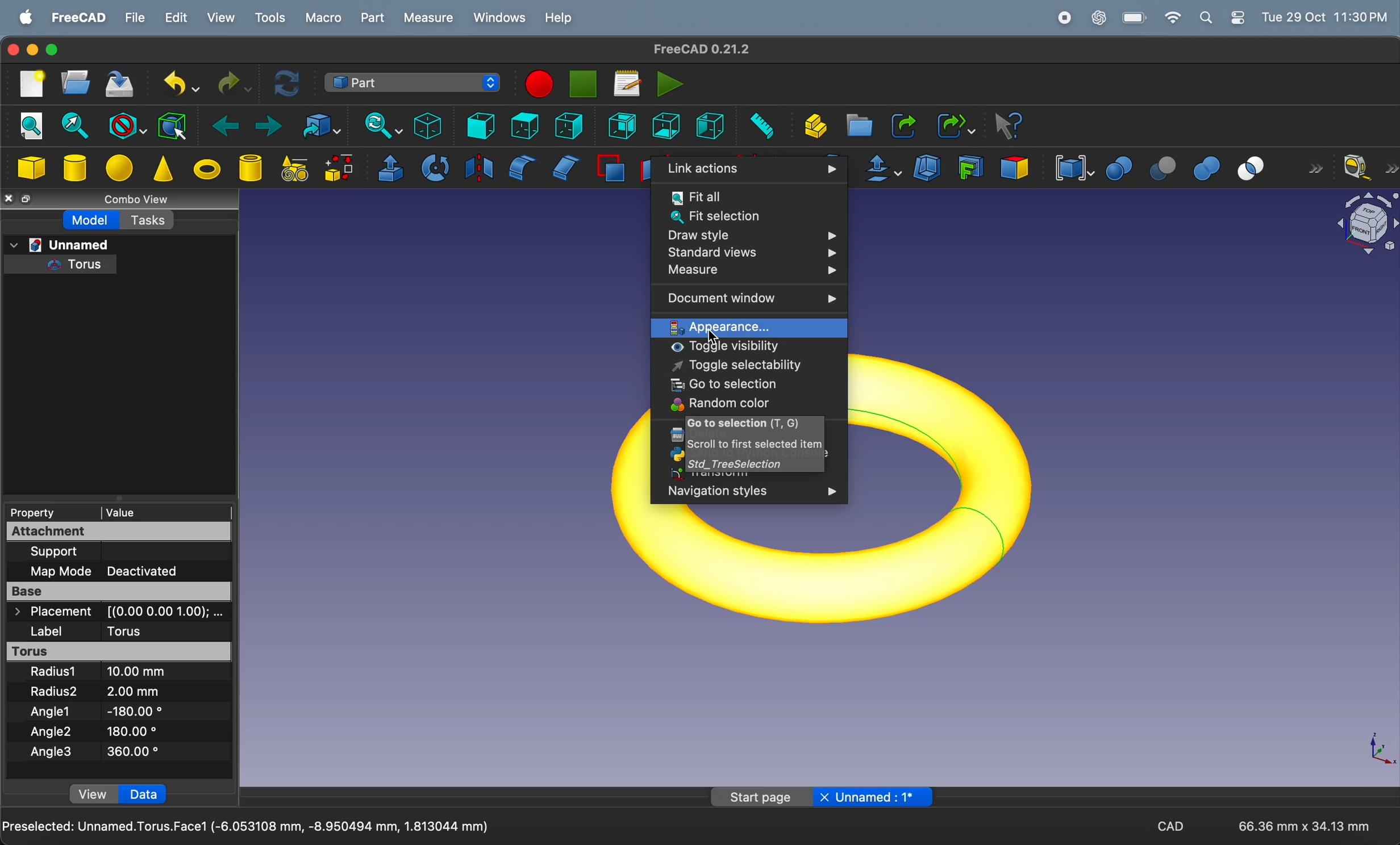 The image size is (1400, 845). I want to click on maximize, so click(52, 50).